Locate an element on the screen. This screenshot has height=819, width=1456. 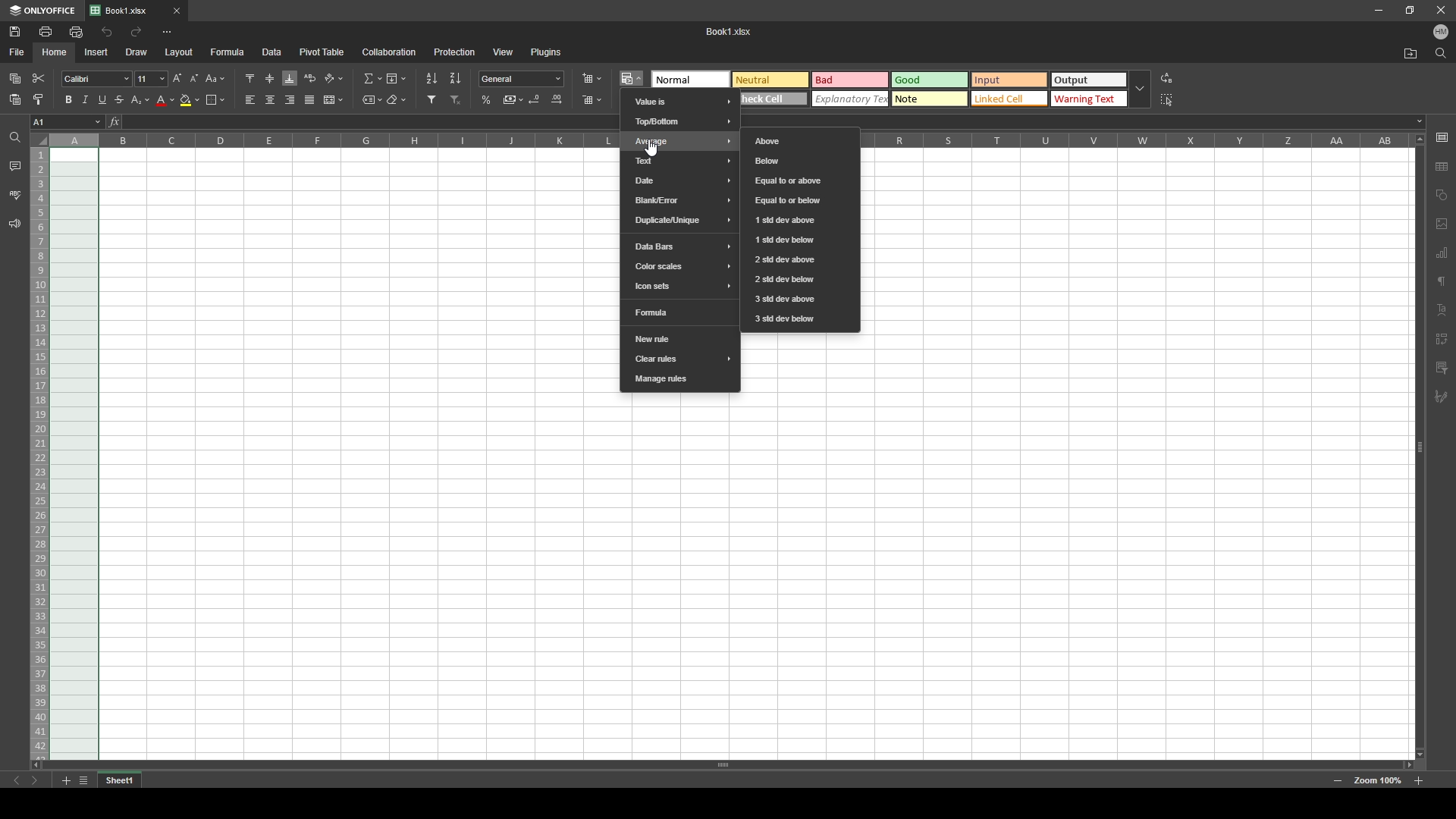
text alignment is located at coordinates (1442, 310).